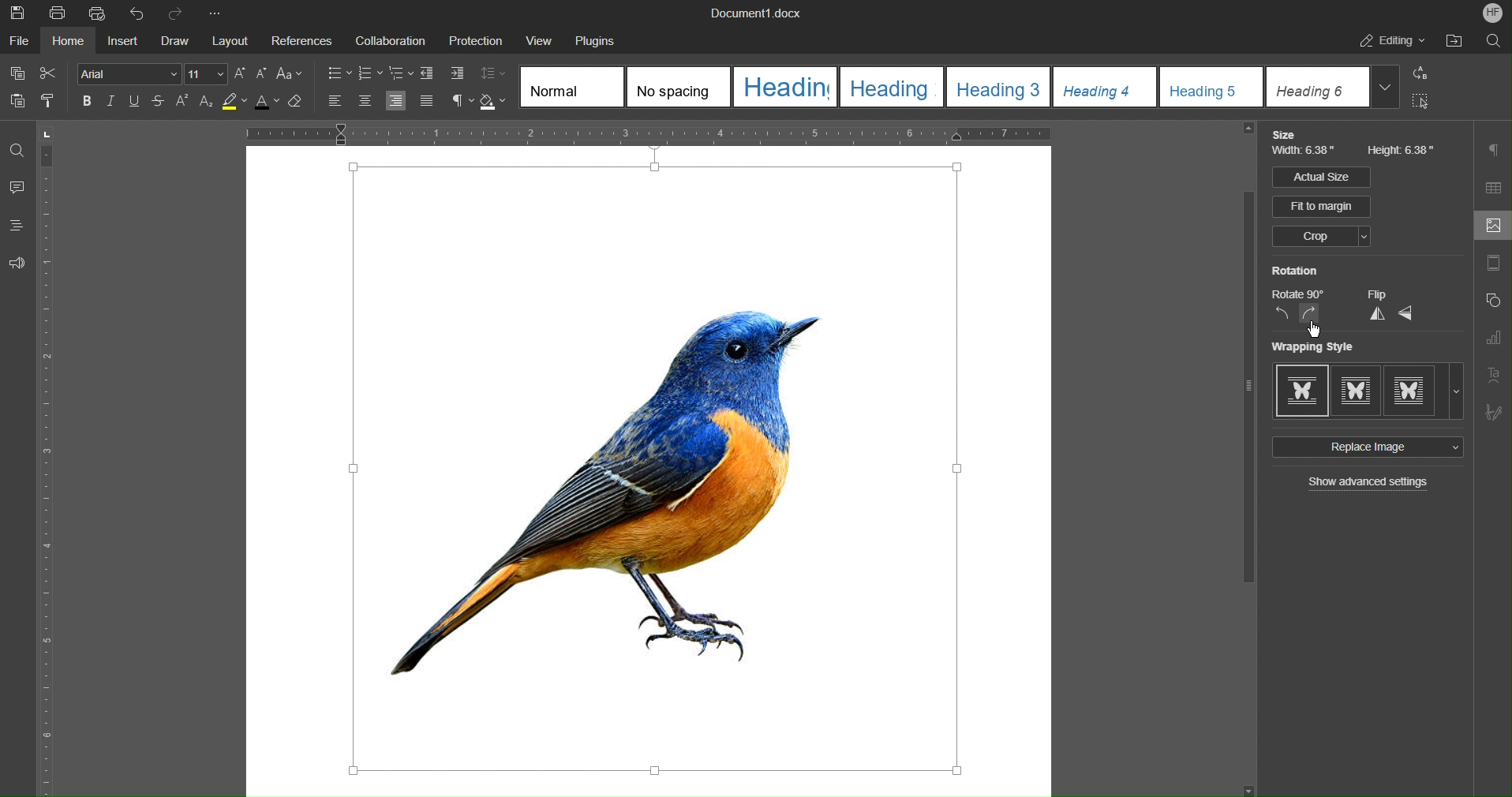 The height and width of the screenshot is (797, 1512). What do you see at coordinates (175, 39) in the screenshot?
I see `Draw` at bounding box center [175, 39].